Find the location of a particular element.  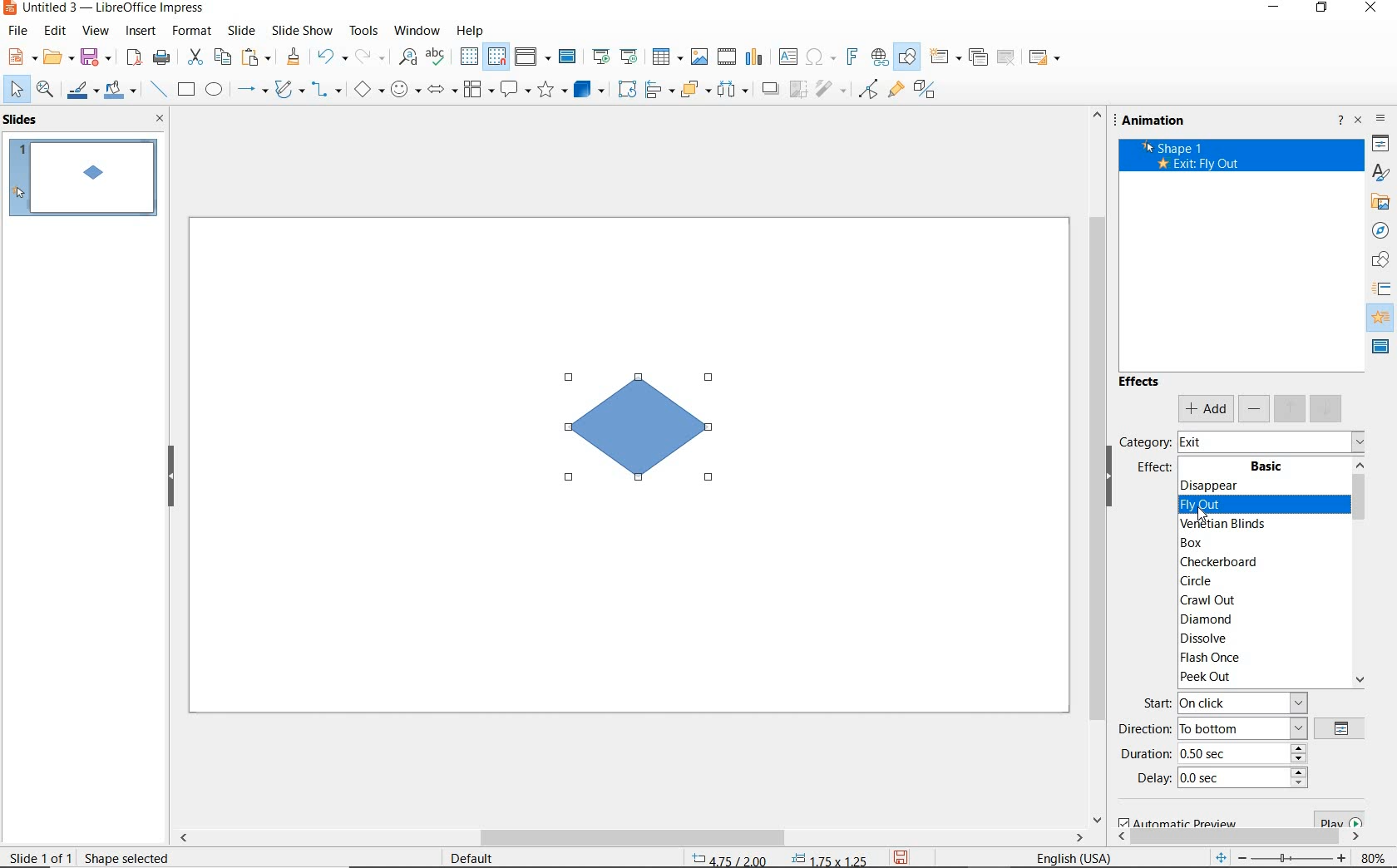

snap to grid is located at coordinates (497, 57).